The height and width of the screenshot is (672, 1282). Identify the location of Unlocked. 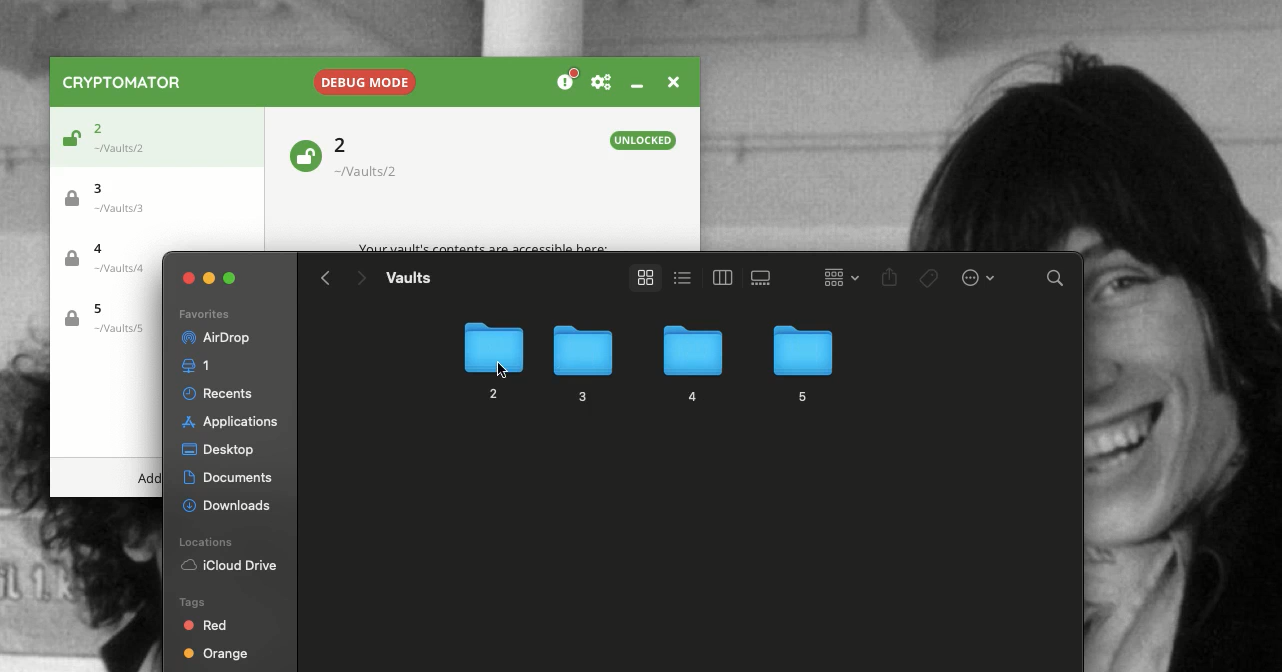
(304, 154).